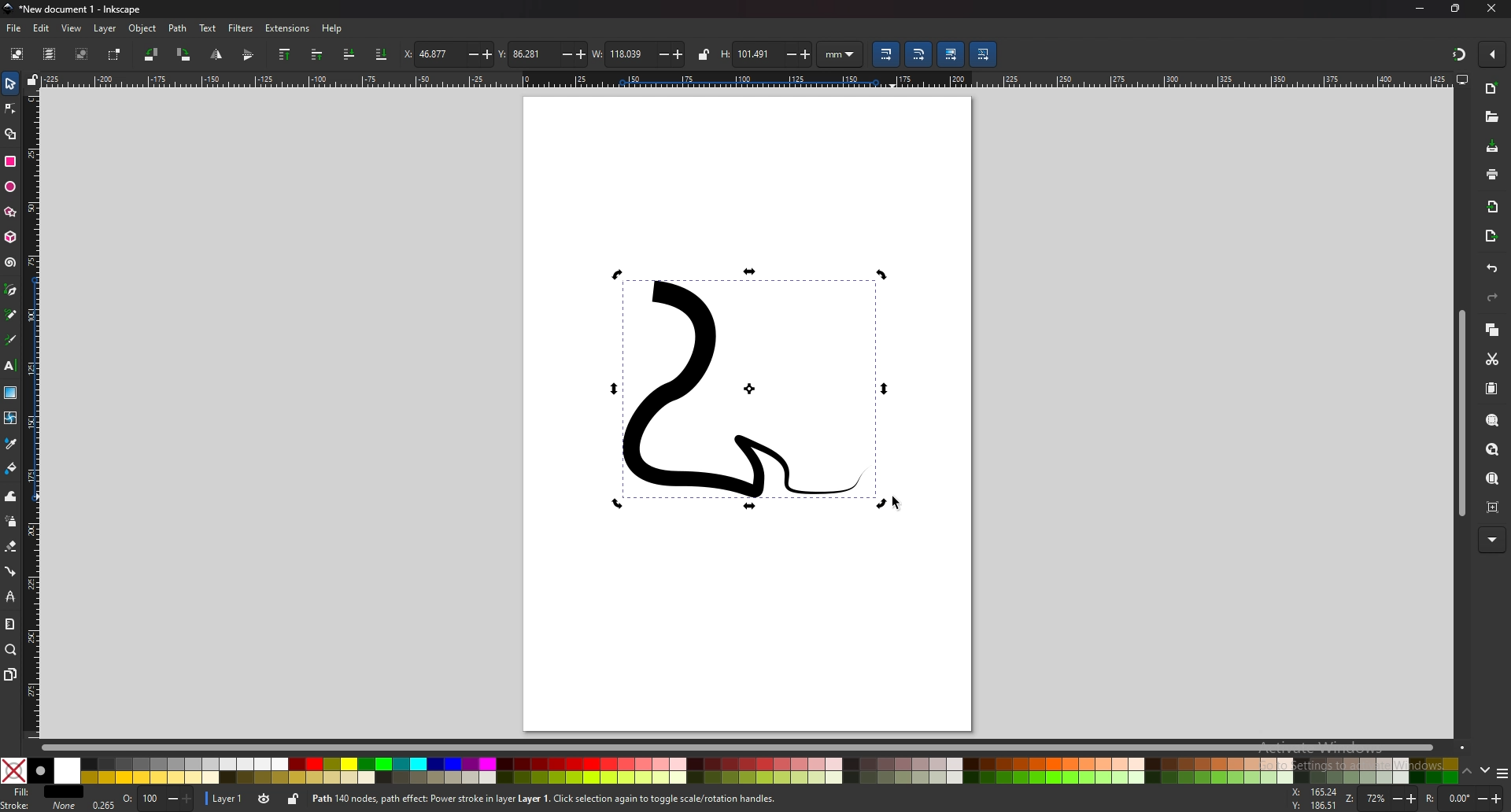 The image size is (1511, 812). What do you see at coordinates (249, 55) in the screenshot?
I see `flip horizontally` at bounding box center [249, 55].